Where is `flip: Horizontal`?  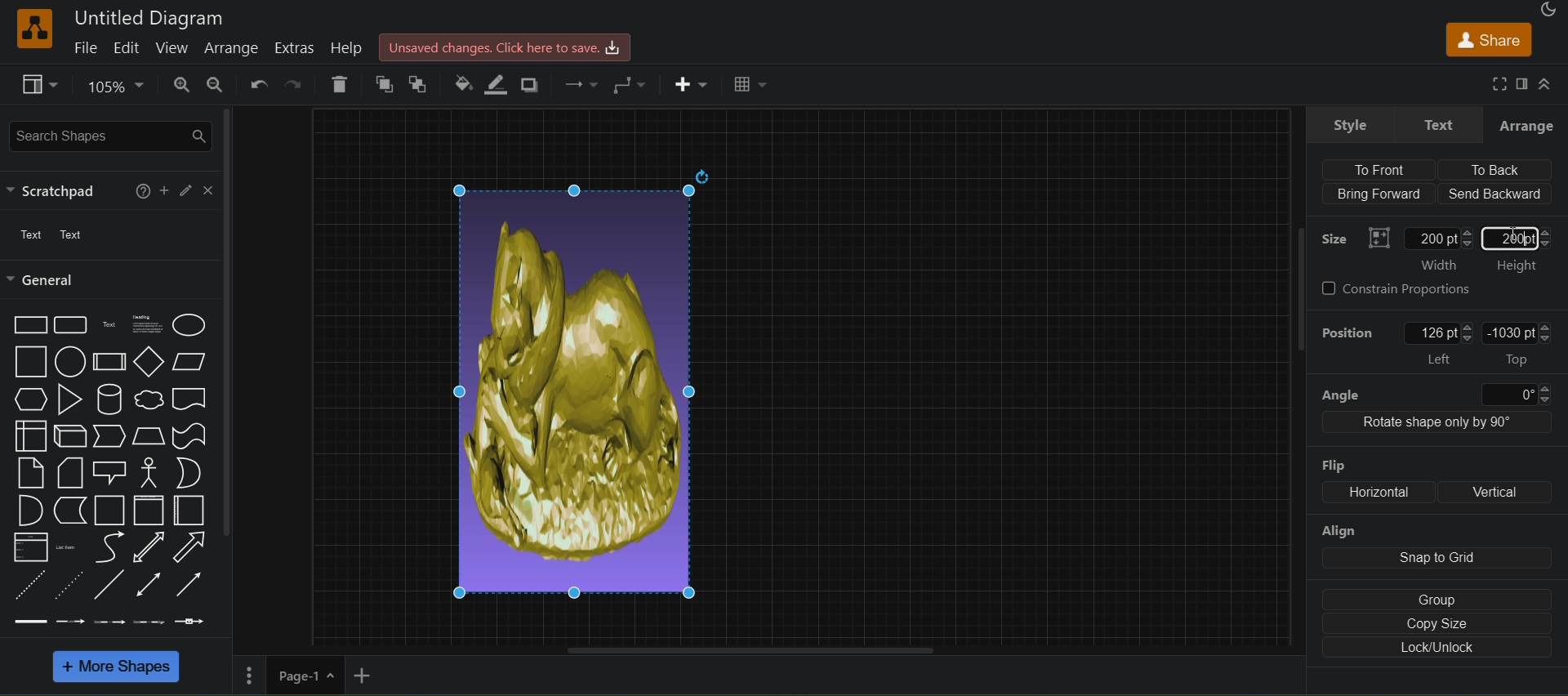 flip: Horizontal is located at coordinates (1363, 480).